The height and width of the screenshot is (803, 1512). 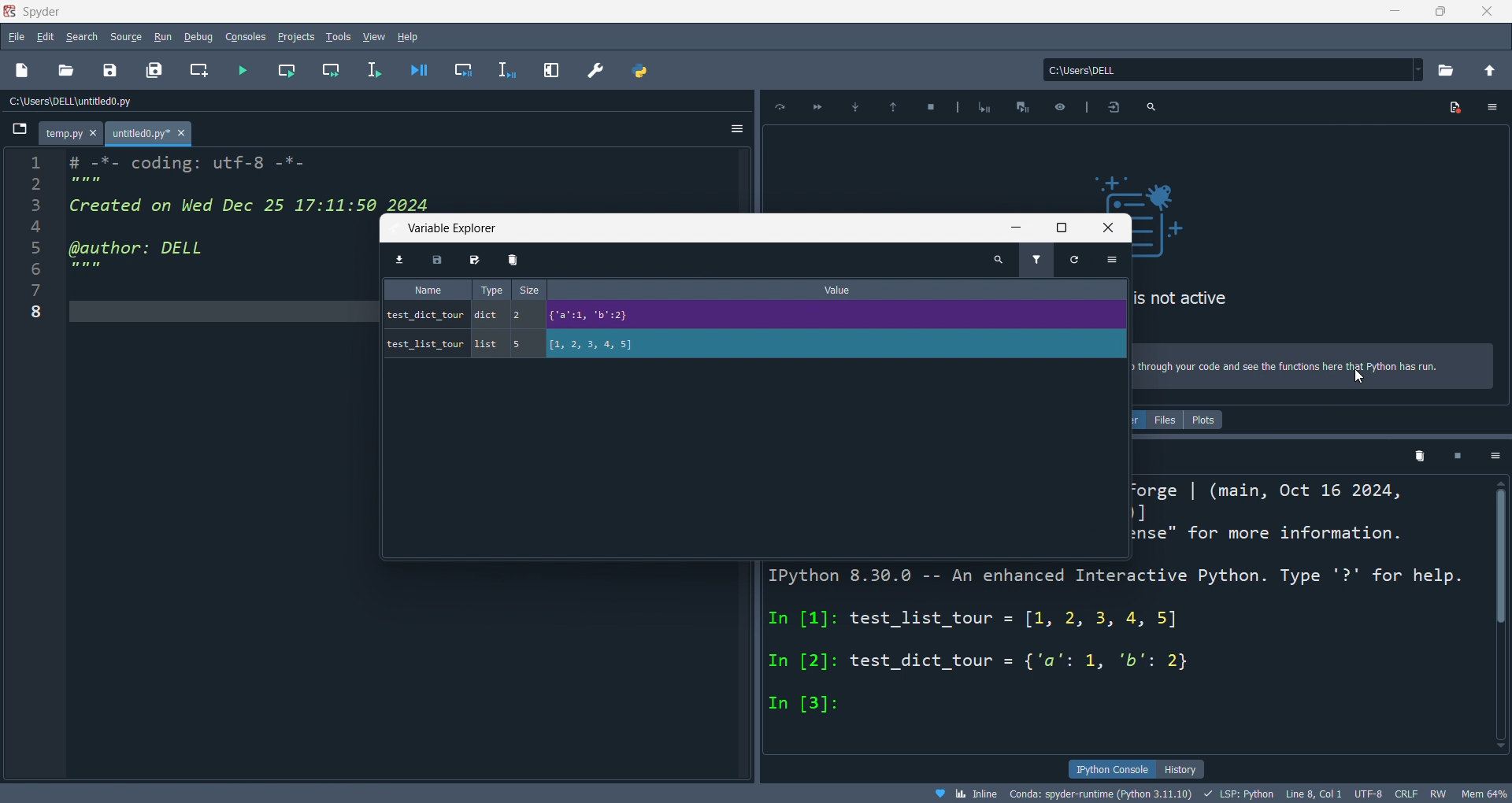 I want to click on current directory: c:\users\dell, so click(x=1230, y=71).